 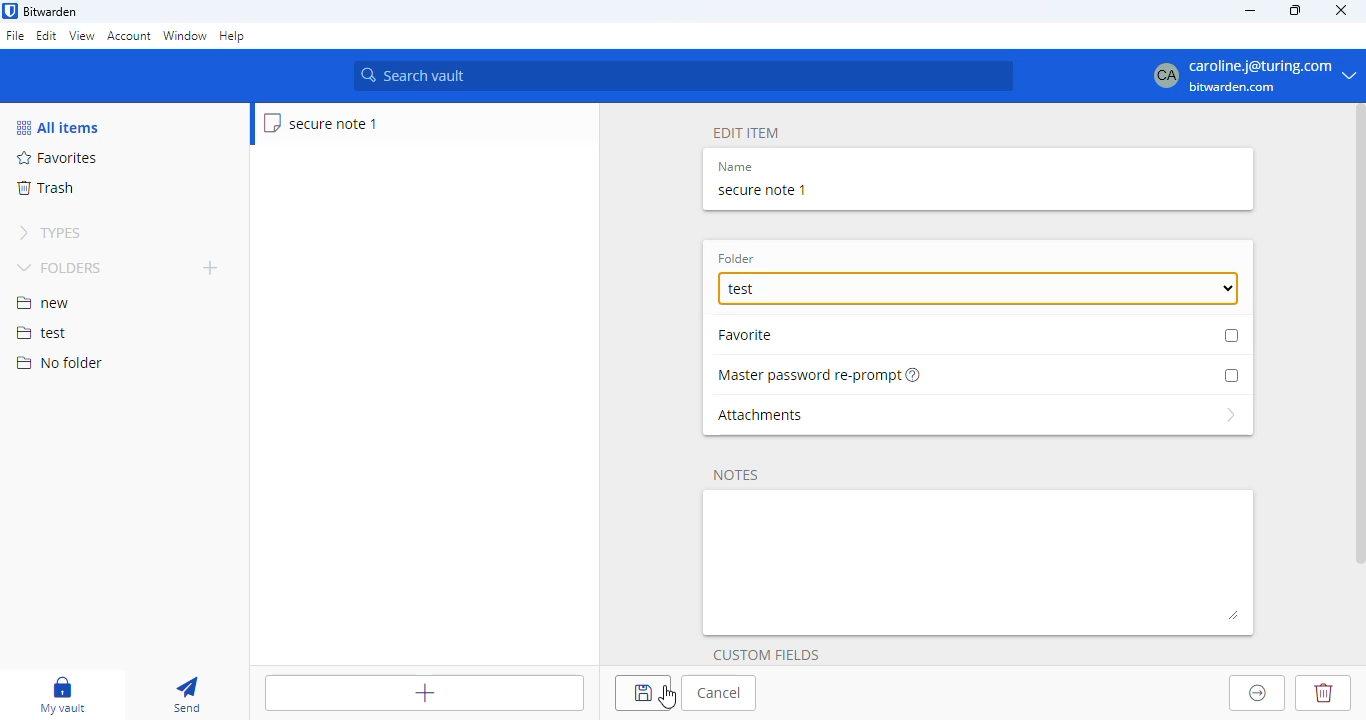 I want to click on move to organization, so click(x=1258, y=693).